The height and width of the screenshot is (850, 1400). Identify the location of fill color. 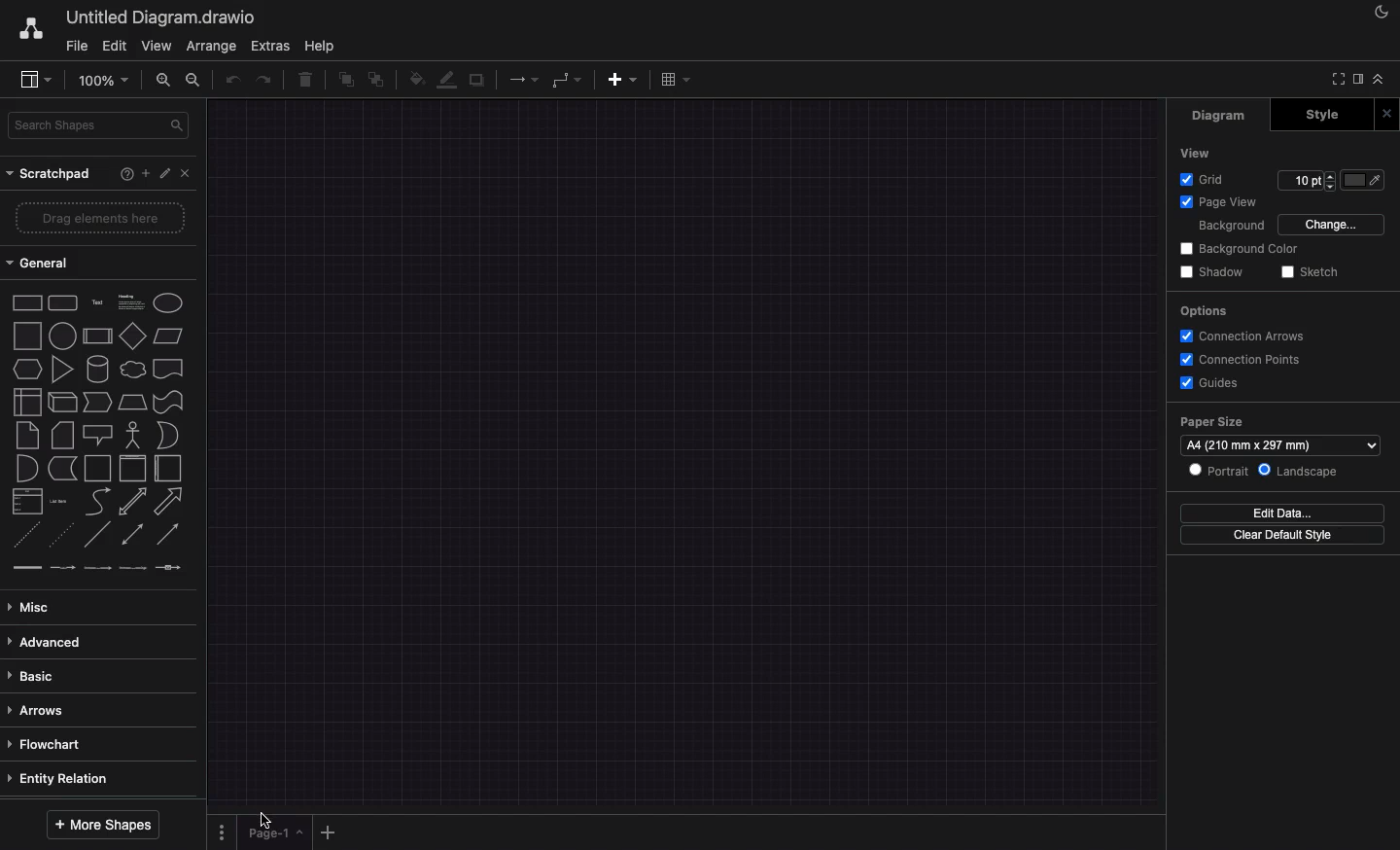
(417, 80).